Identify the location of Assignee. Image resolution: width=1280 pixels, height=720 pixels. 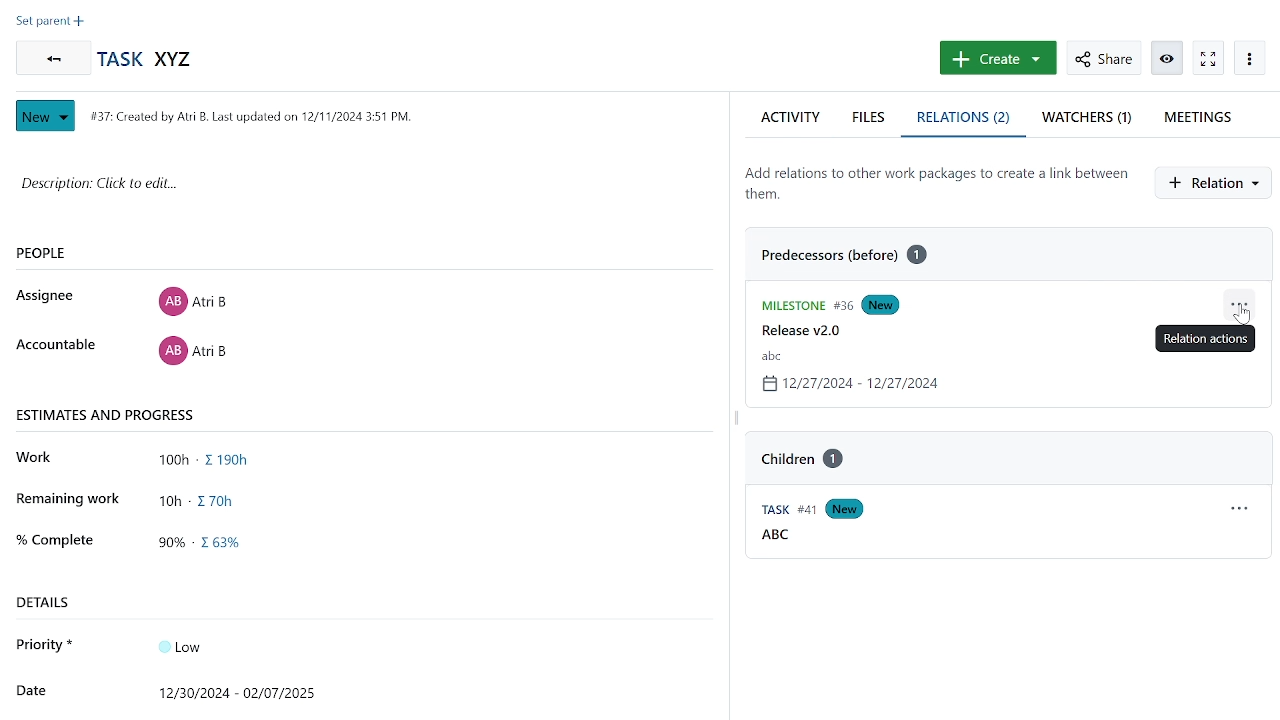
(192, 299).